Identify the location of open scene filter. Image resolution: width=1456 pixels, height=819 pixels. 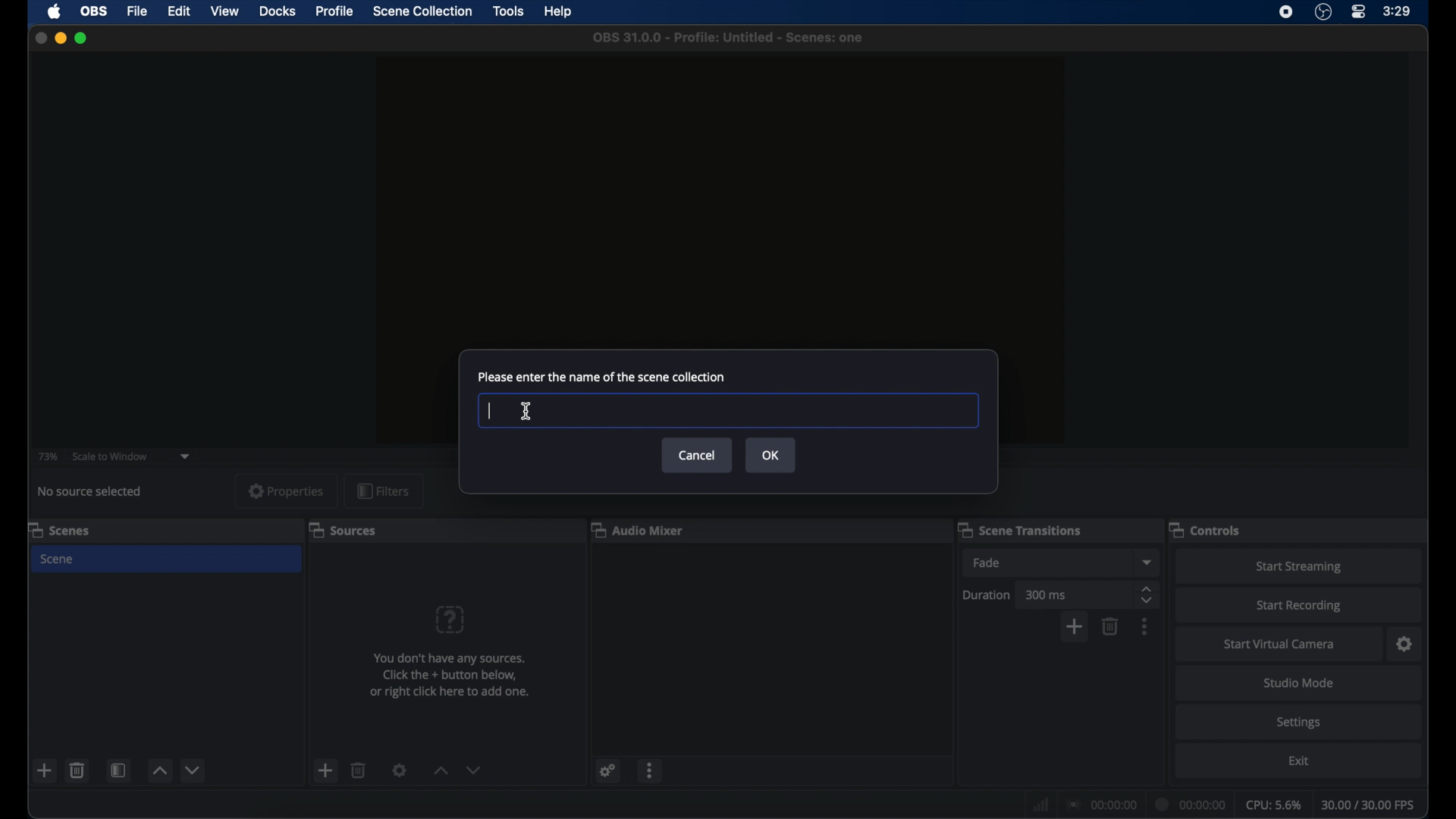
(117, 770).